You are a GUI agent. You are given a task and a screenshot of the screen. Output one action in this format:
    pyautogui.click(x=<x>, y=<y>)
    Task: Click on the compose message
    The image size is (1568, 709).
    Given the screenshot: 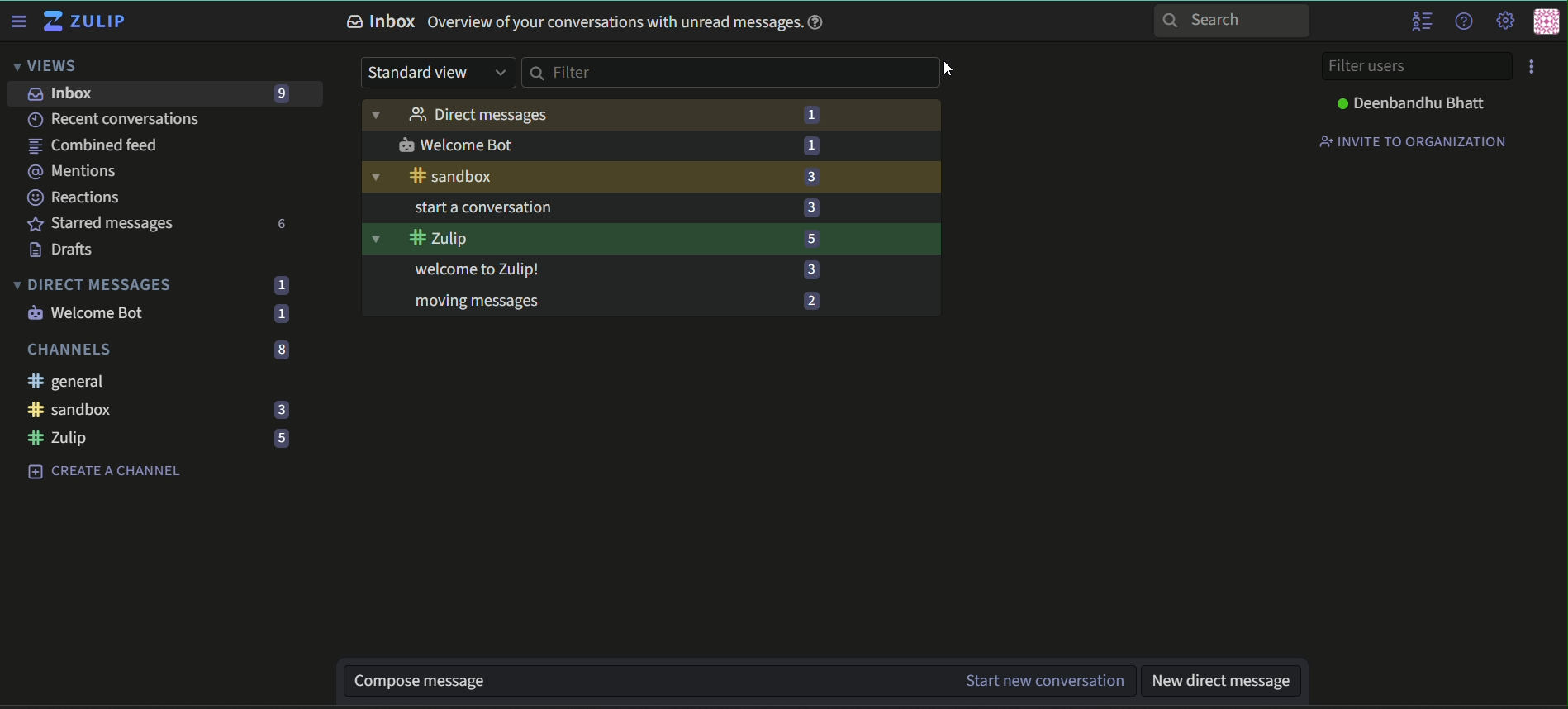 What is the action you would take?
    pyautogui.click(x=639, y=681)
    